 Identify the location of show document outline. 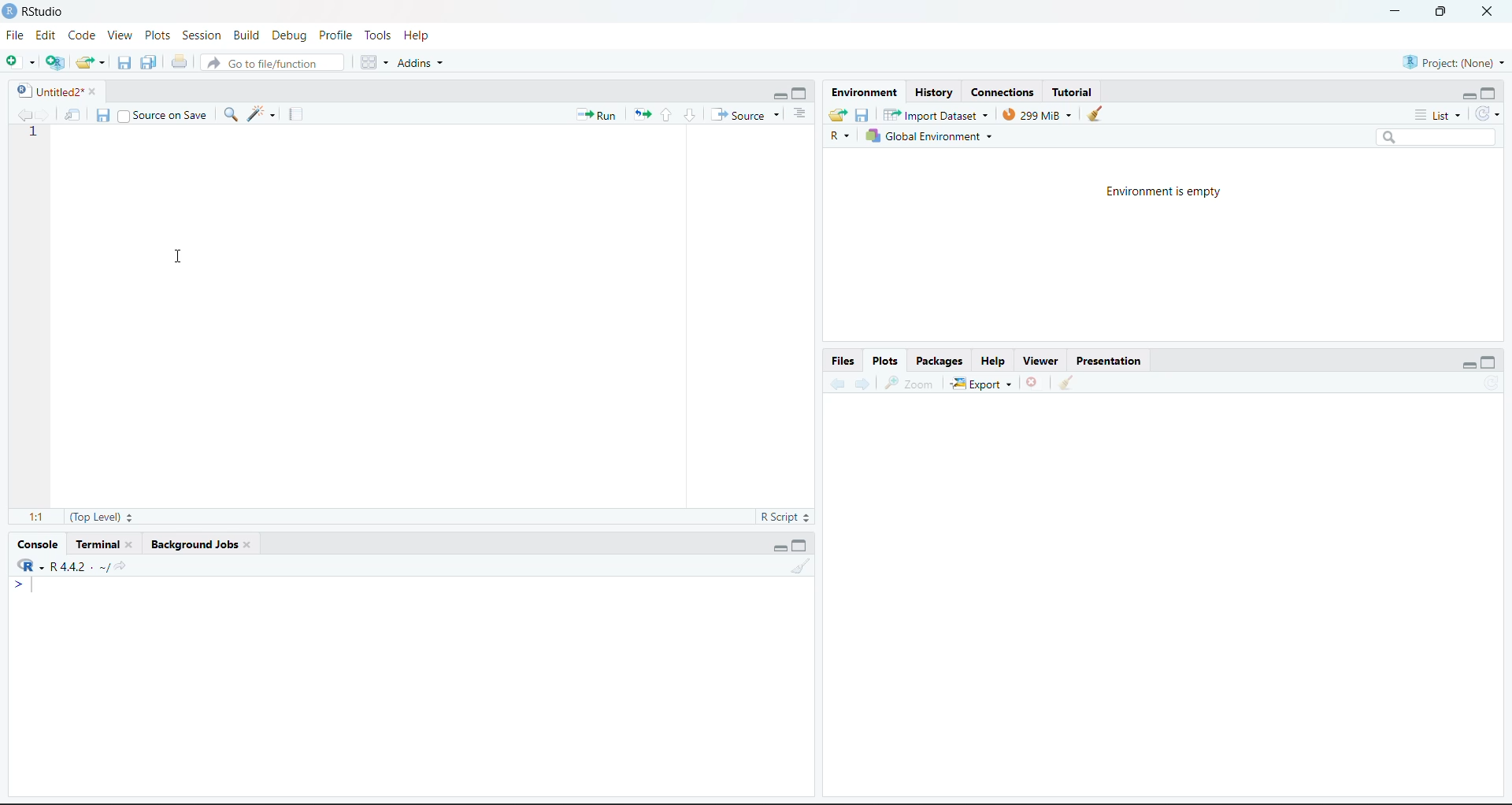
(802, 113).